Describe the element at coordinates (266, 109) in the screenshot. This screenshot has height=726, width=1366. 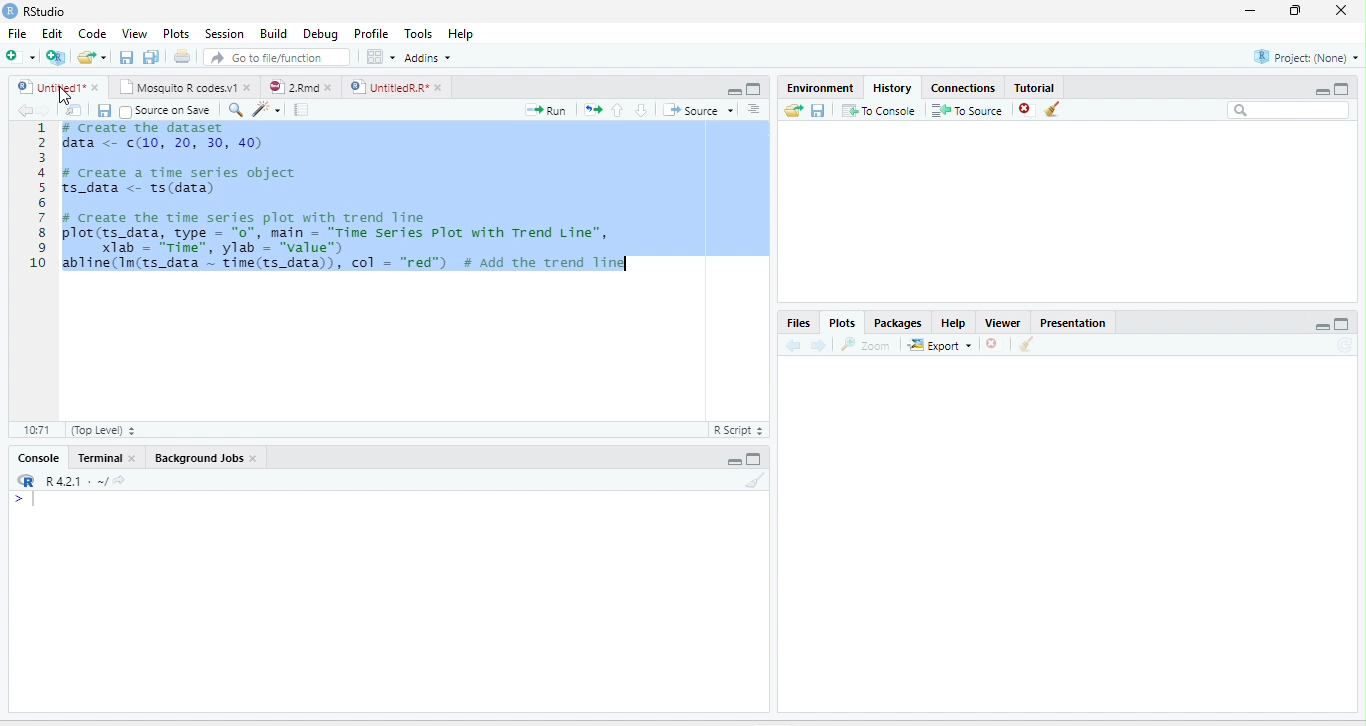
I see `Code tools` at that location.